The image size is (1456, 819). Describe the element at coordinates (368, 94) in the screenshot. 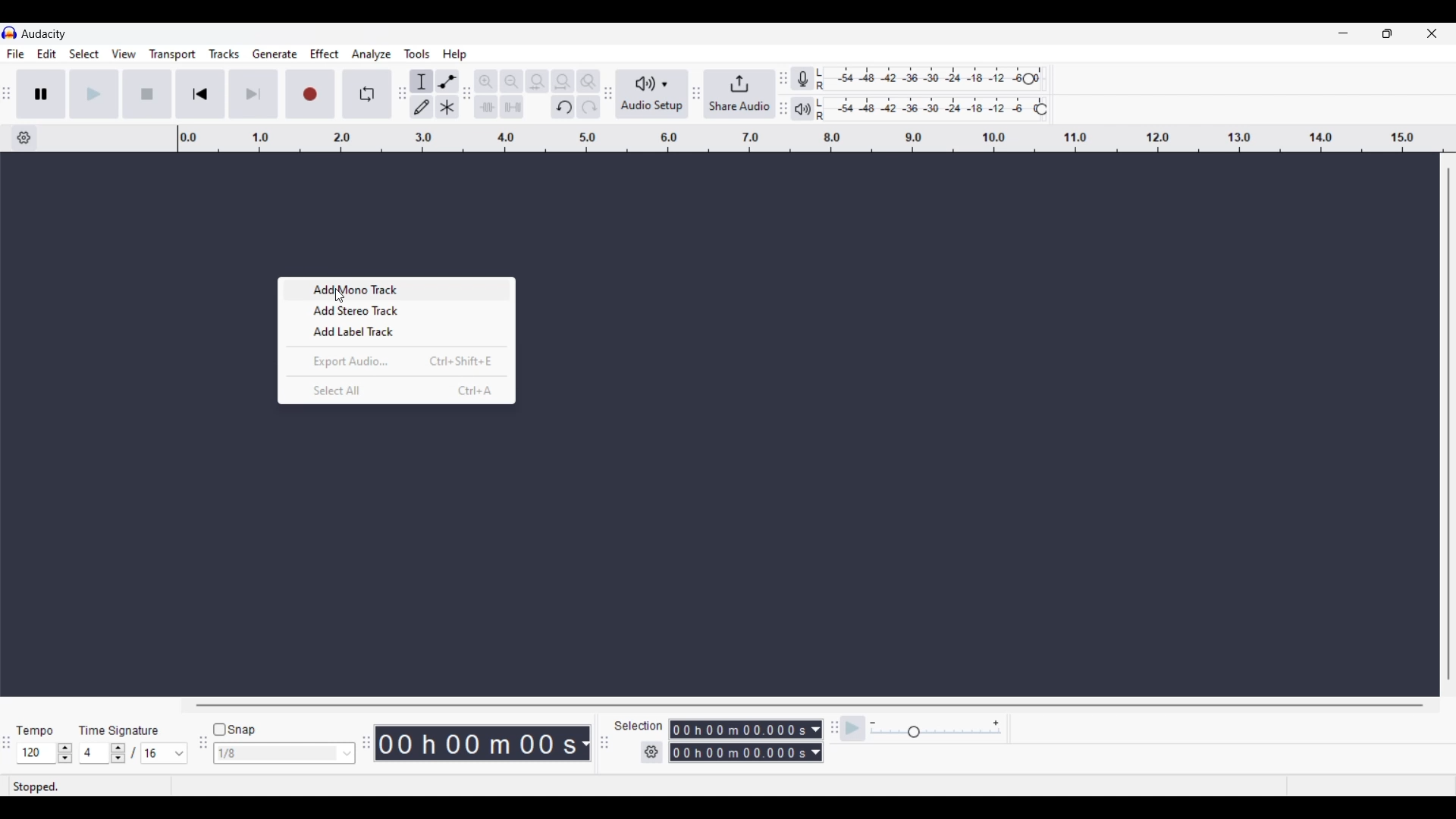

I see `Enable looping` at that location.